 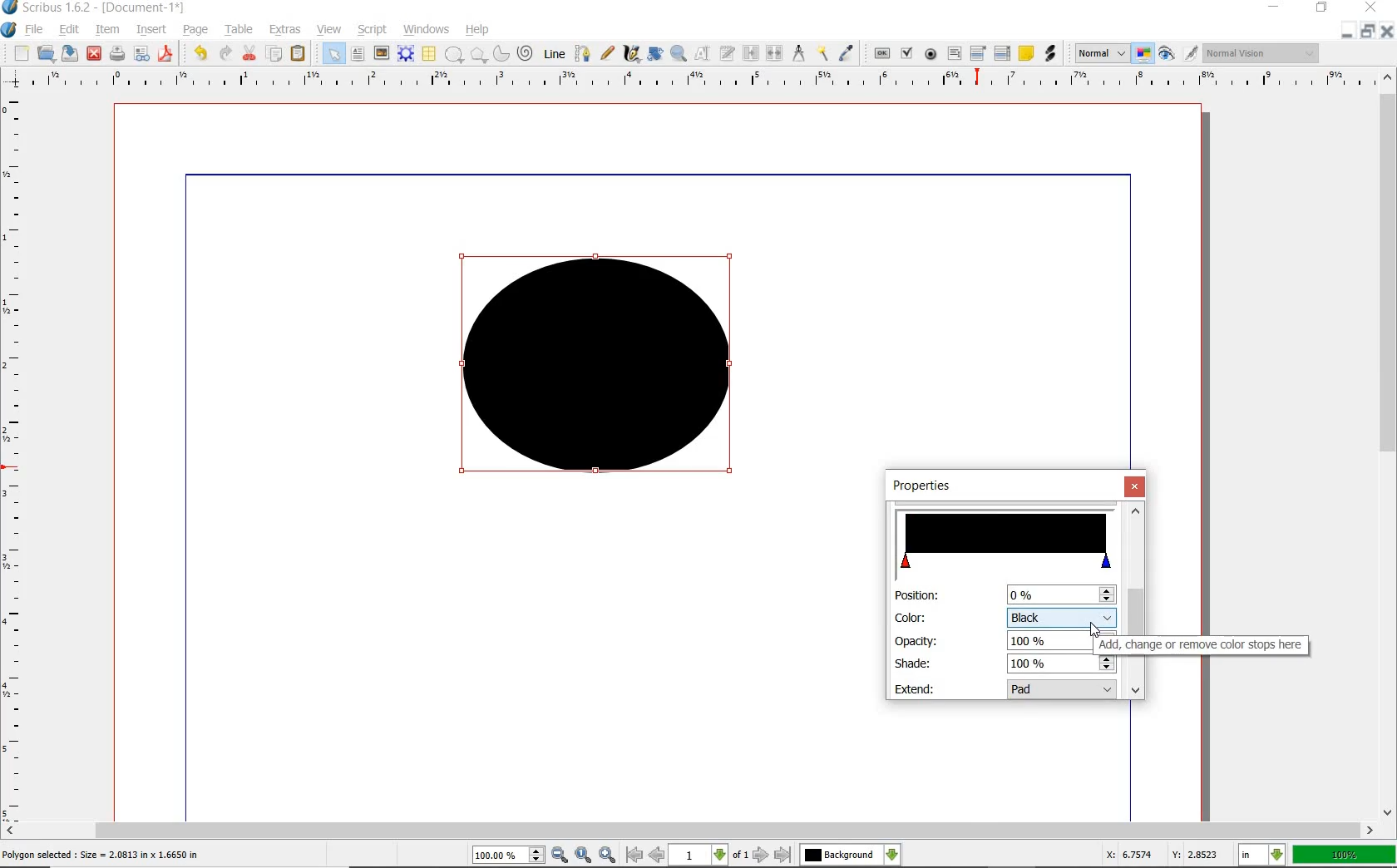 I want to click on FILE, so click(x=36, y=29).